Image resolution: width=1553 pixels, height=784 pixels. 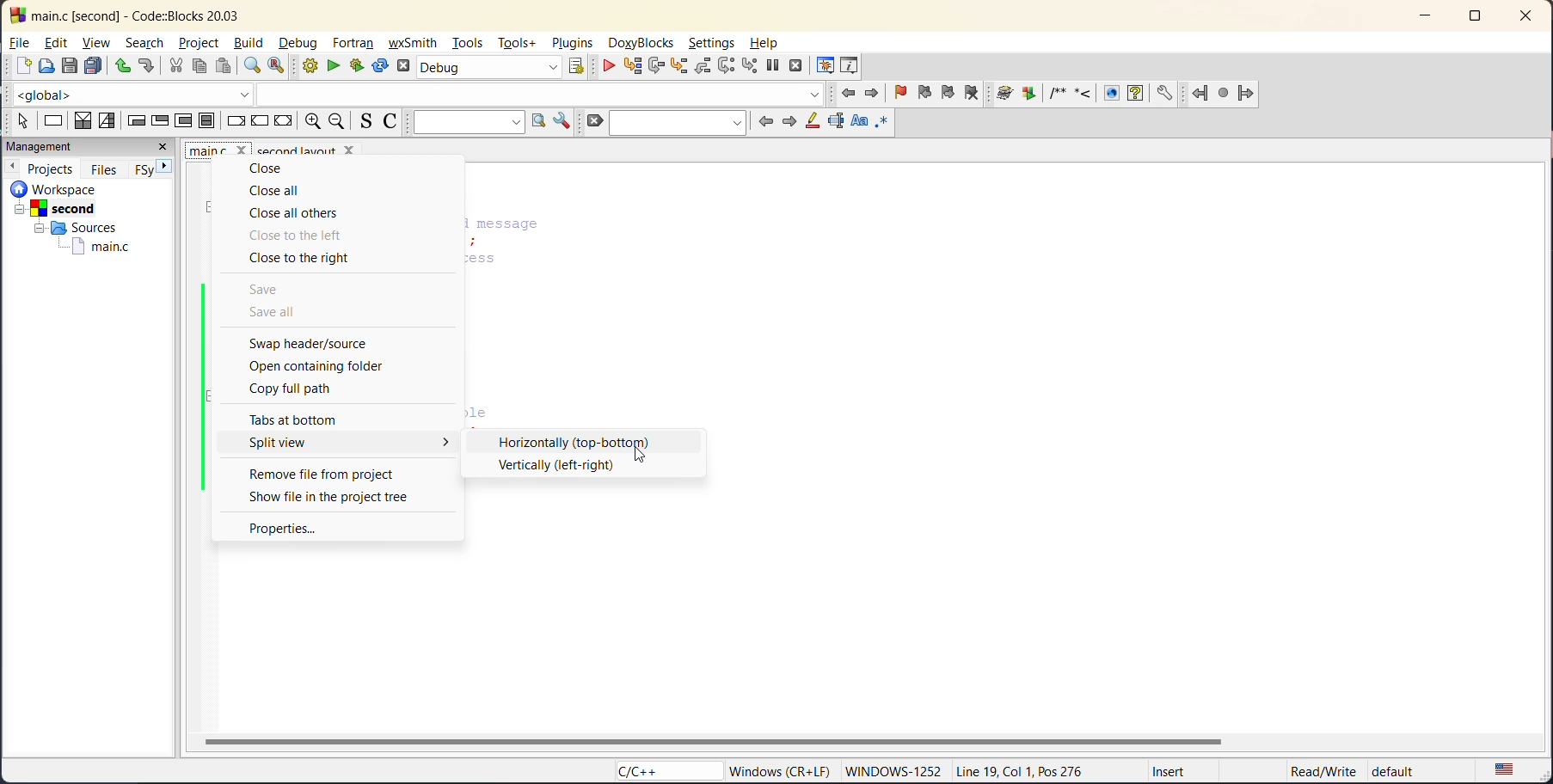 What do you see at coordinates (44, 65) in the screenshot?
I see `open` at bounding box center [44, 65].